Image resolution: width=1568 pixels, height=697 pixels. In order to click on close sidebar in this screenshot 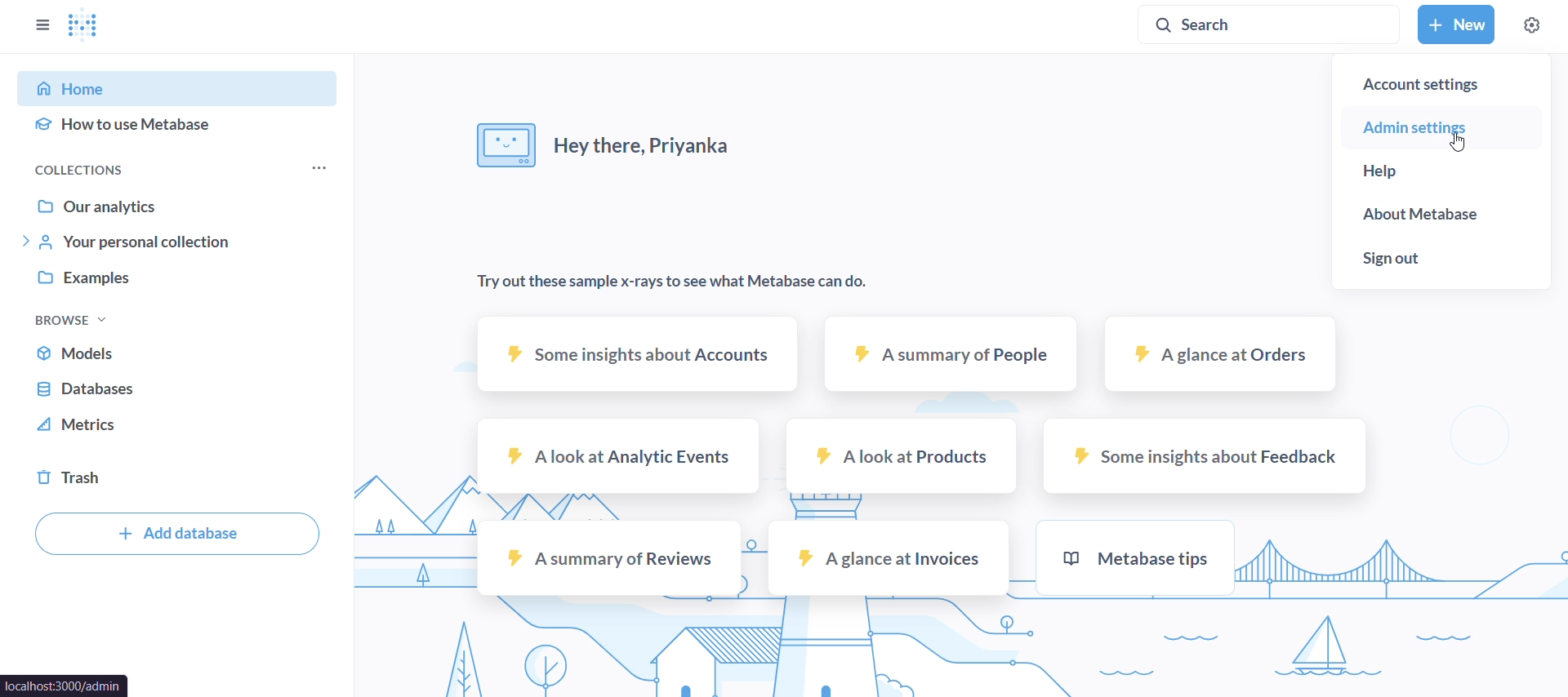, I will do `click(46, 29)`.